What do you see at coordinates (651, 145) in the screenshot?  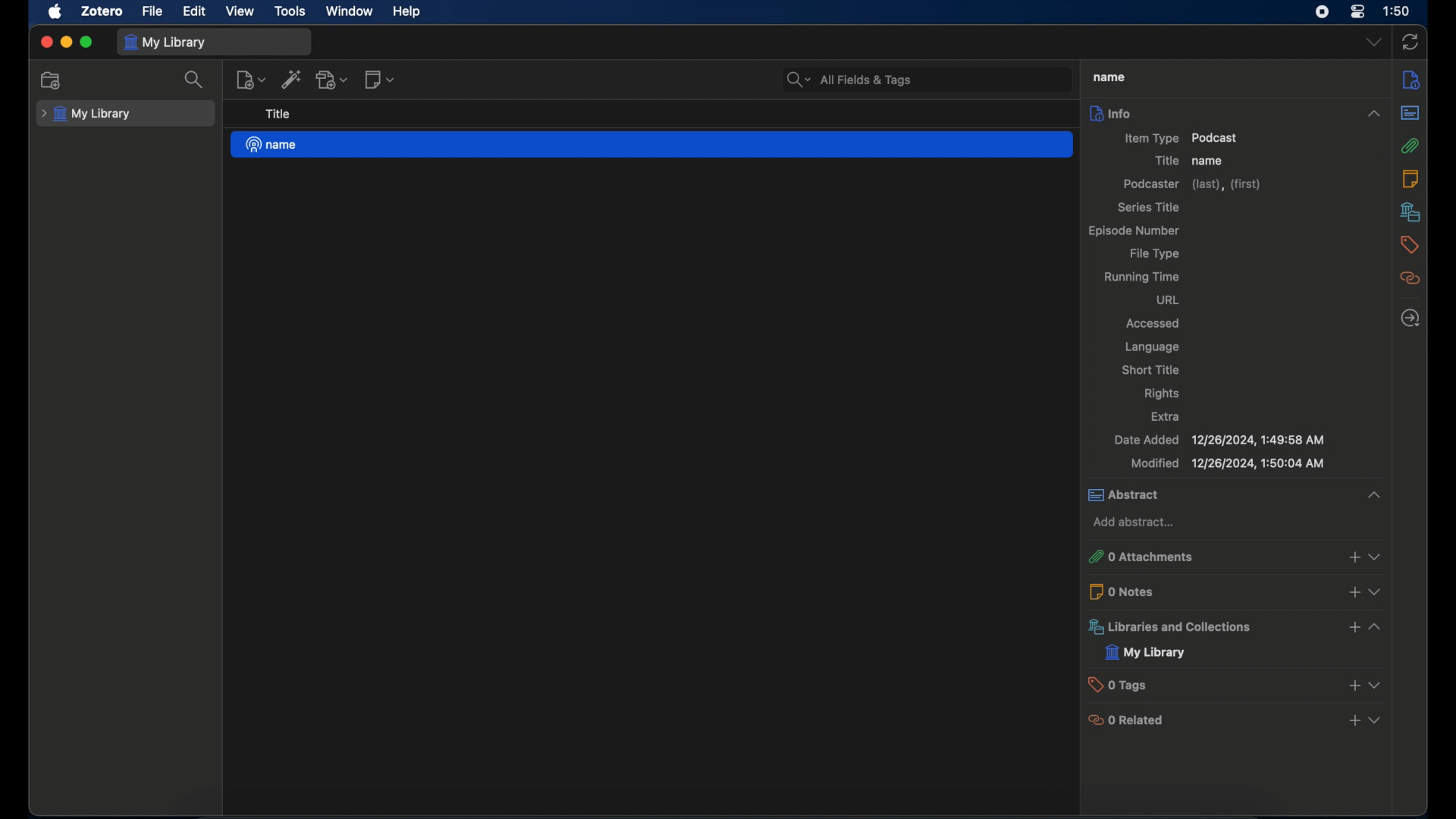 I see `name` at bounding box center [651, 145].